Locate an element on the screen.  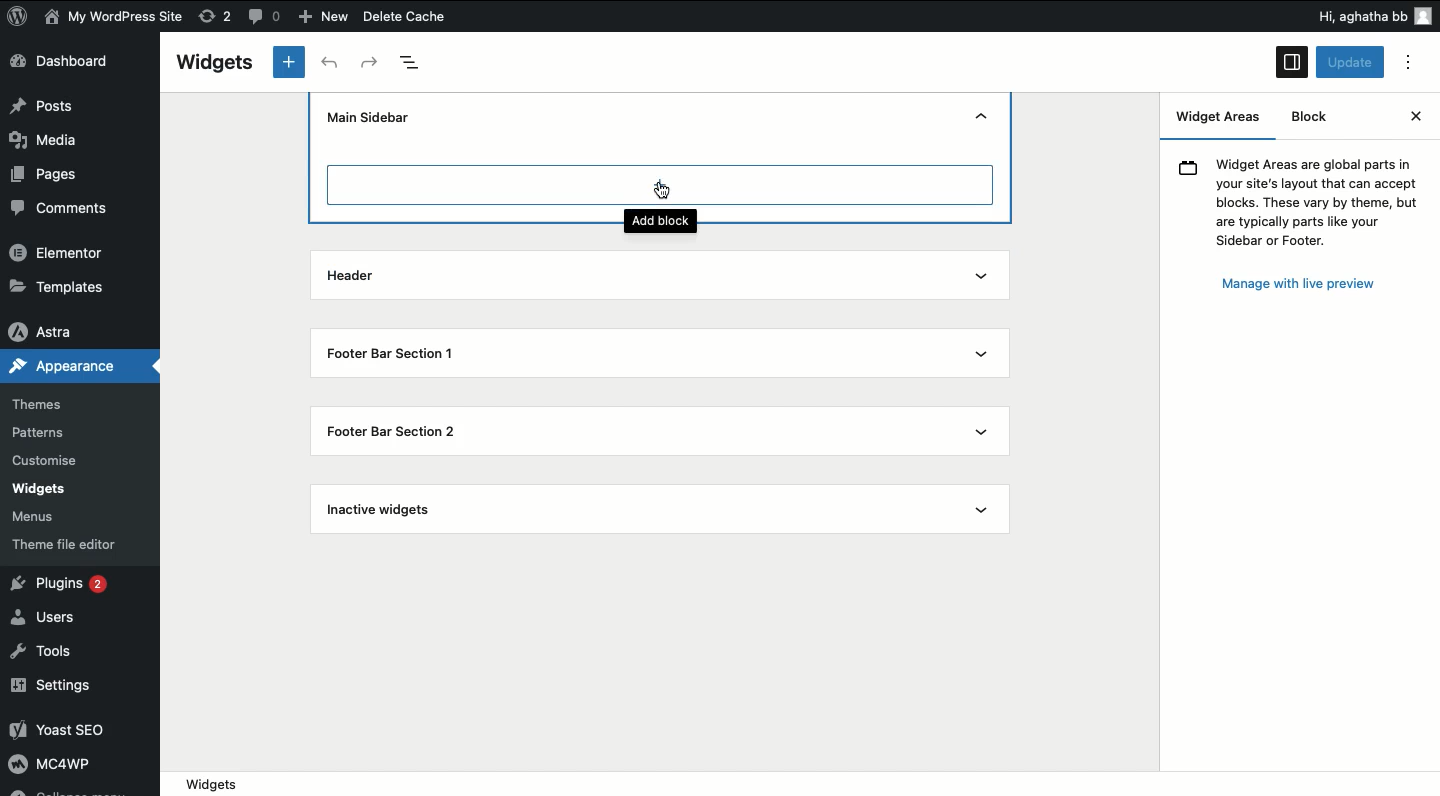
Hi, aghatha bb  is located at coordinates (1368, 15).